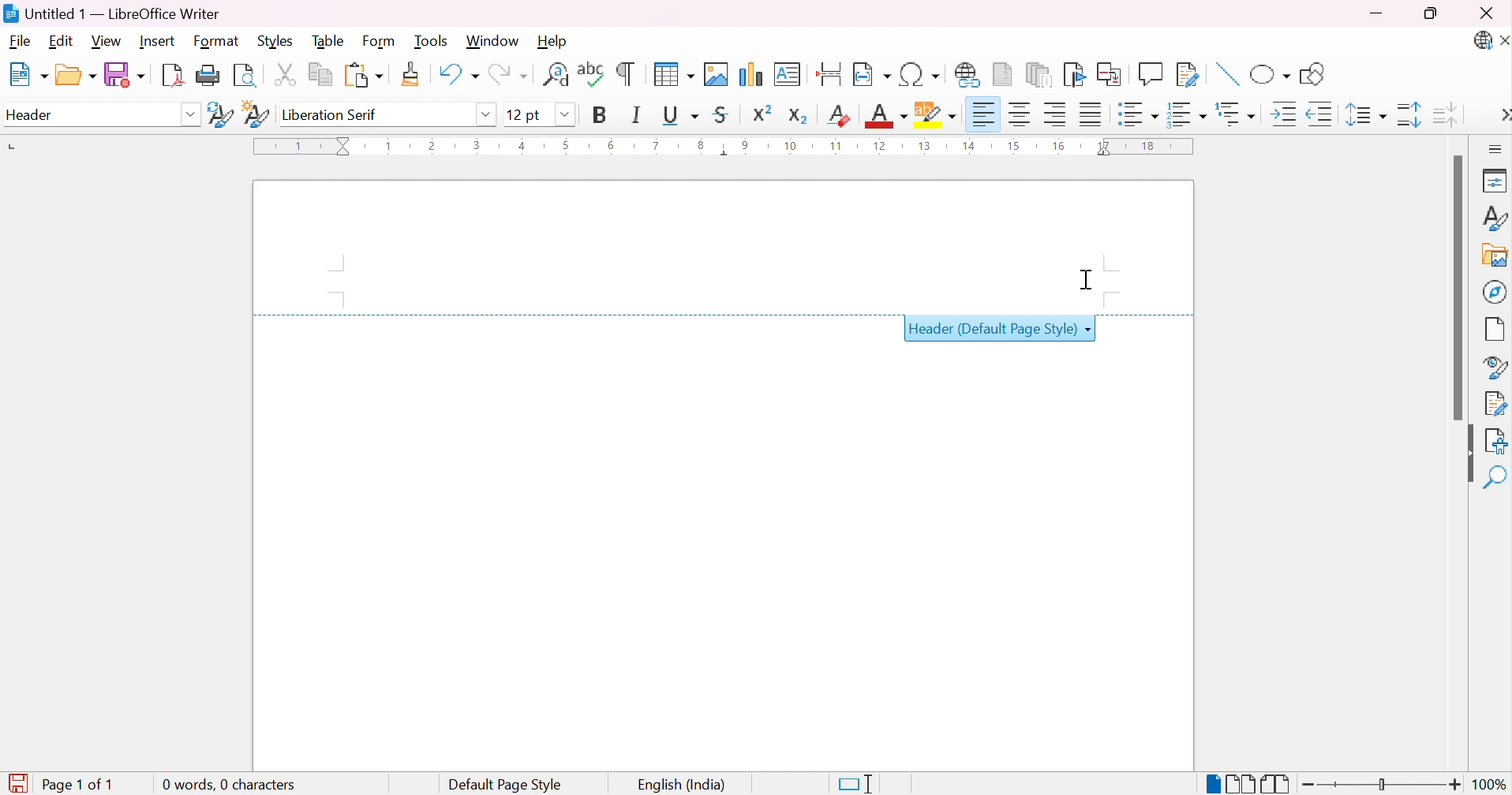 The image size is (1512, 795). What do you see at coordinates (411, 73) in the screenshot?
I see `Clone formatting` at bounding box center [411, 73].